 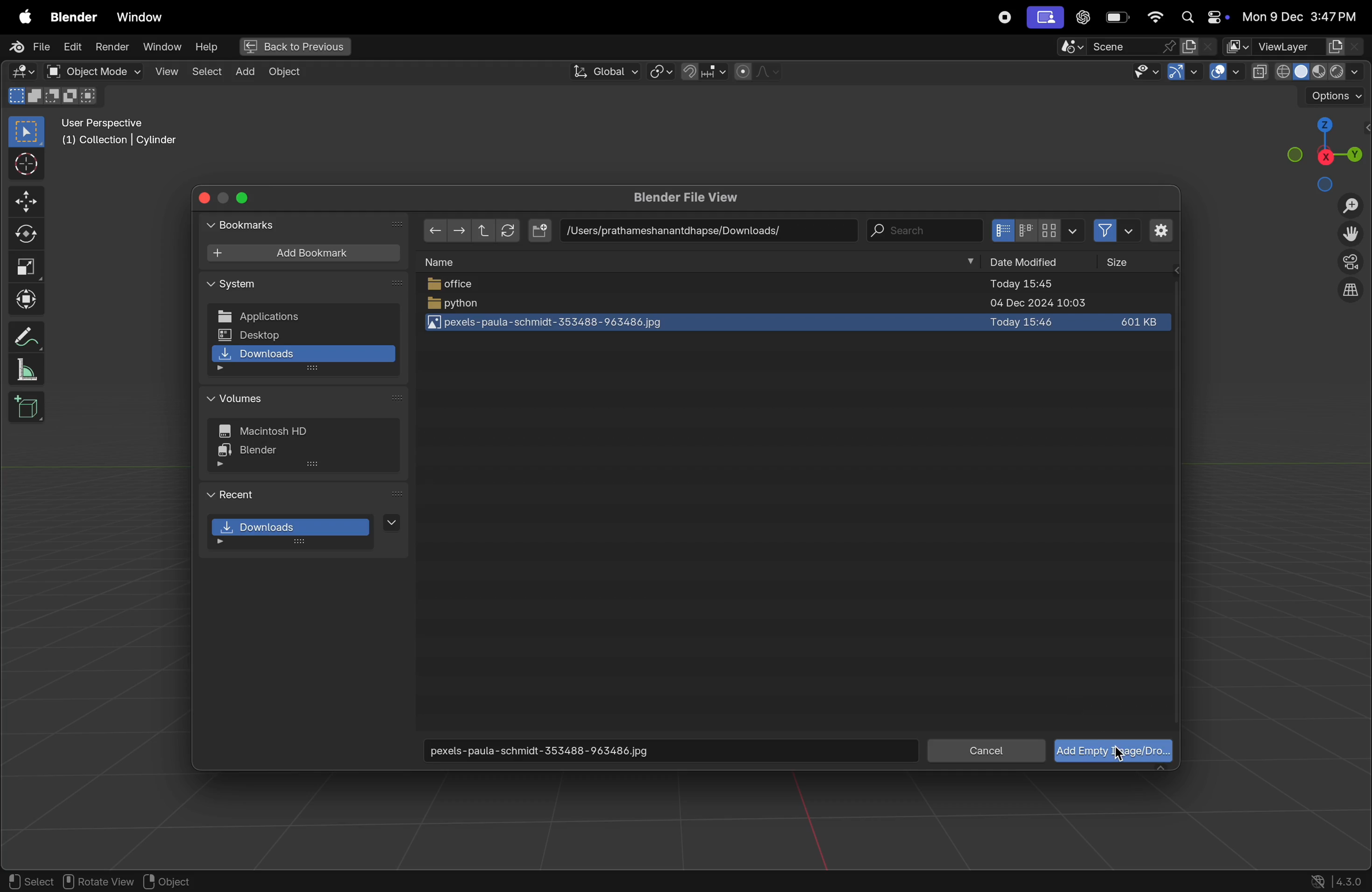 What do you see at coordinates (1305, 71) in the screenshot?
I see `view shading` at bounding box center [1305, 71].